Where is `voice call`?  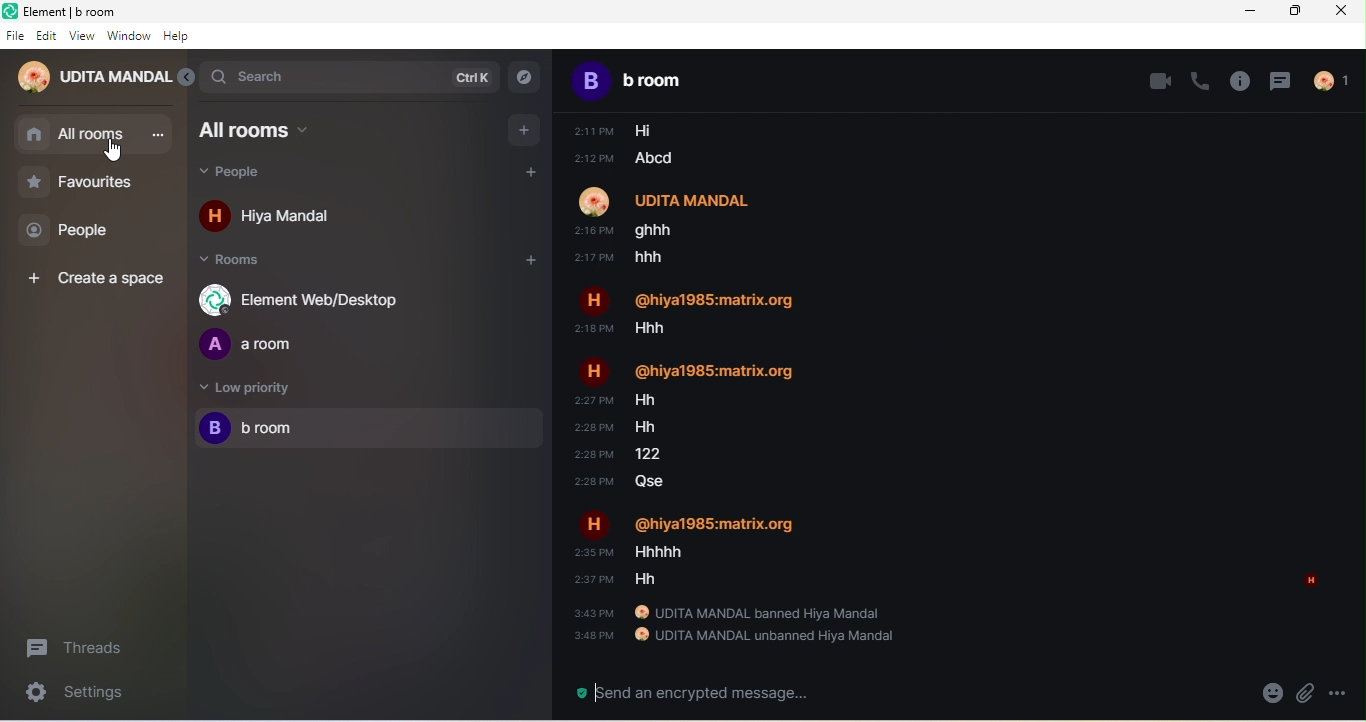
voice call is located at coordinates (1203, 79).